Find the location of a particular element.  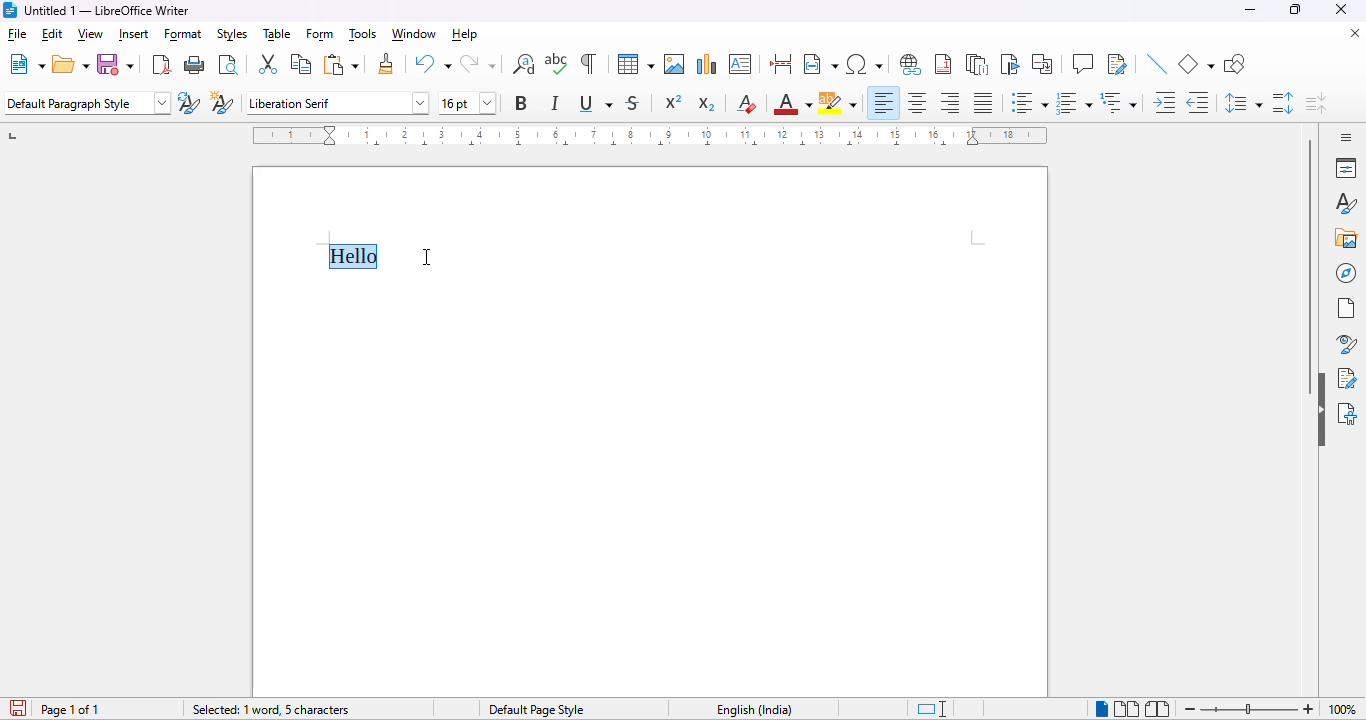

paste is located at coordinates (342, 64).